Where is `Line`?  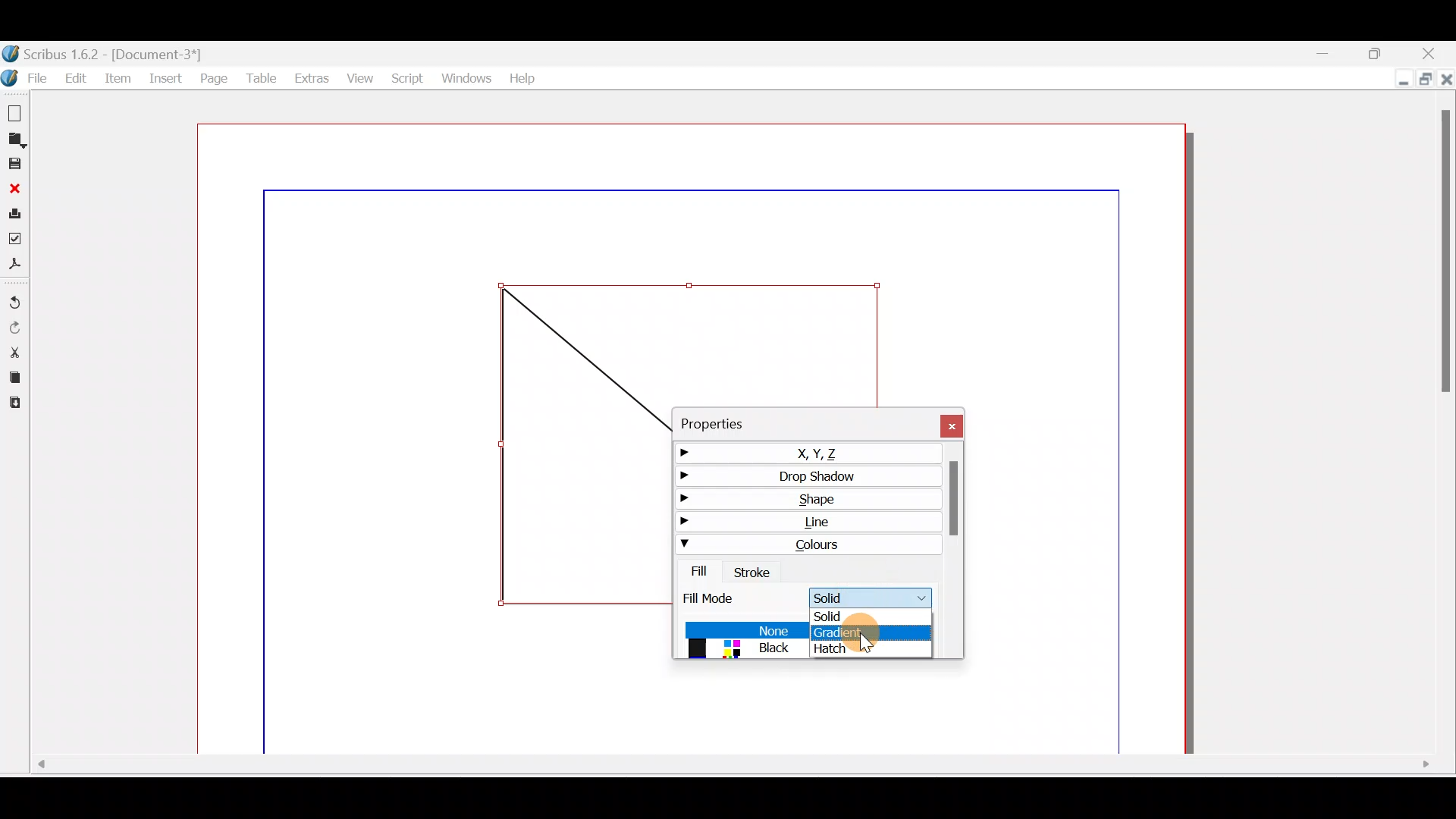 Line is located at coordinates (808, 521).